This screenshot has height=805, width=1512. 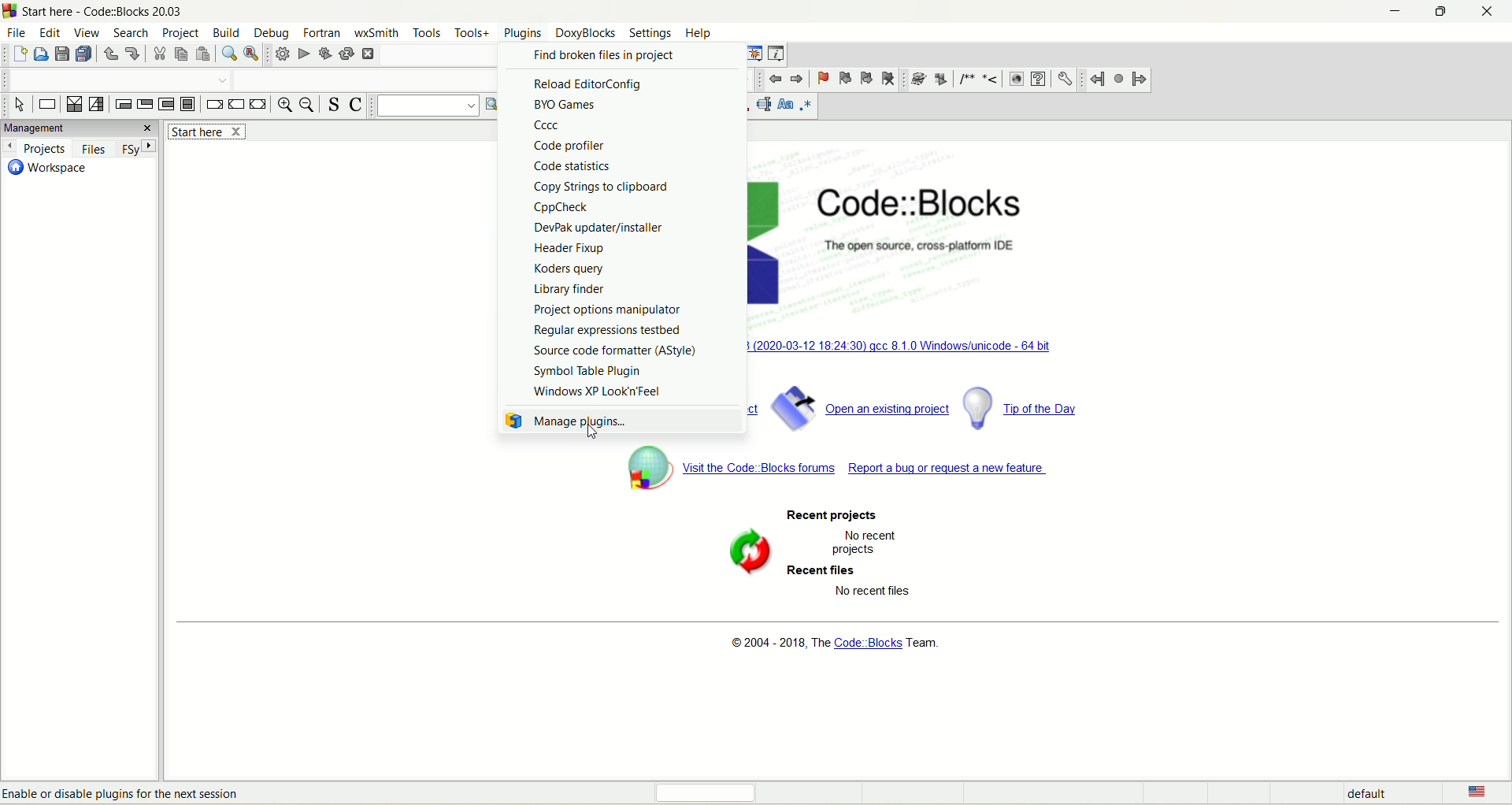 What do you see at coordinates (1142, 80) in the screenshot?
I see `jump forward` at bounding box center [1142, 80].